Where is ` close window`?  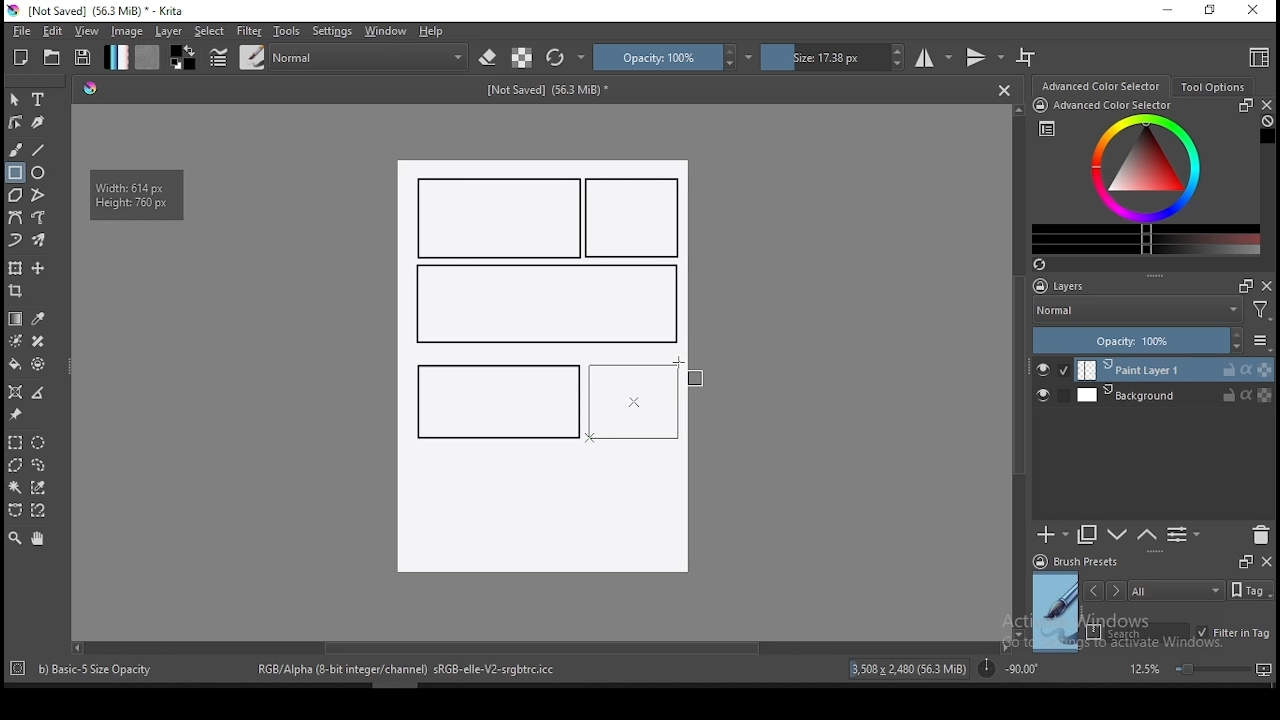  close window is located at coordinates (1255, 11).